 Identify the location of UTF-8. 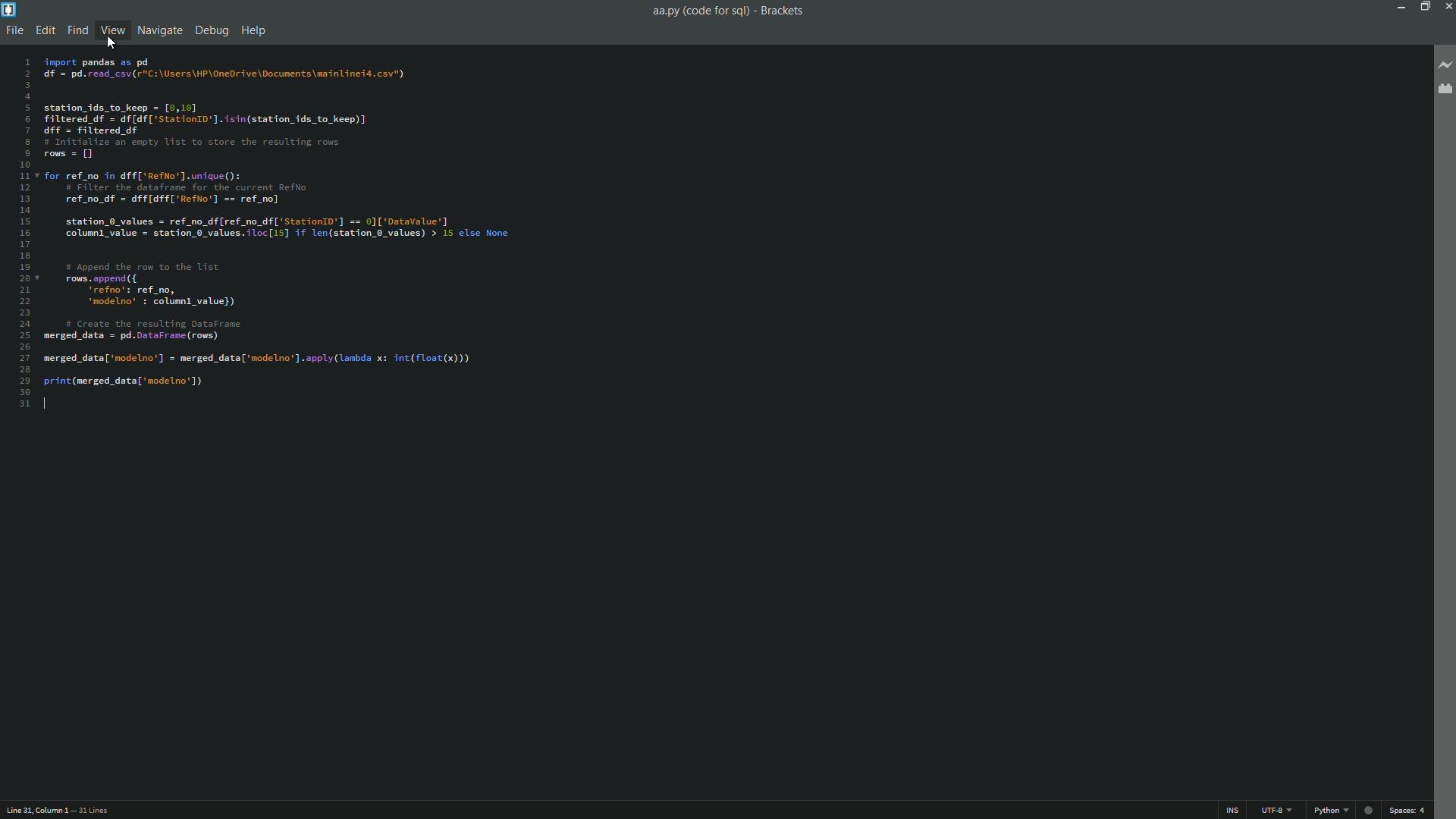
(1276, 809).